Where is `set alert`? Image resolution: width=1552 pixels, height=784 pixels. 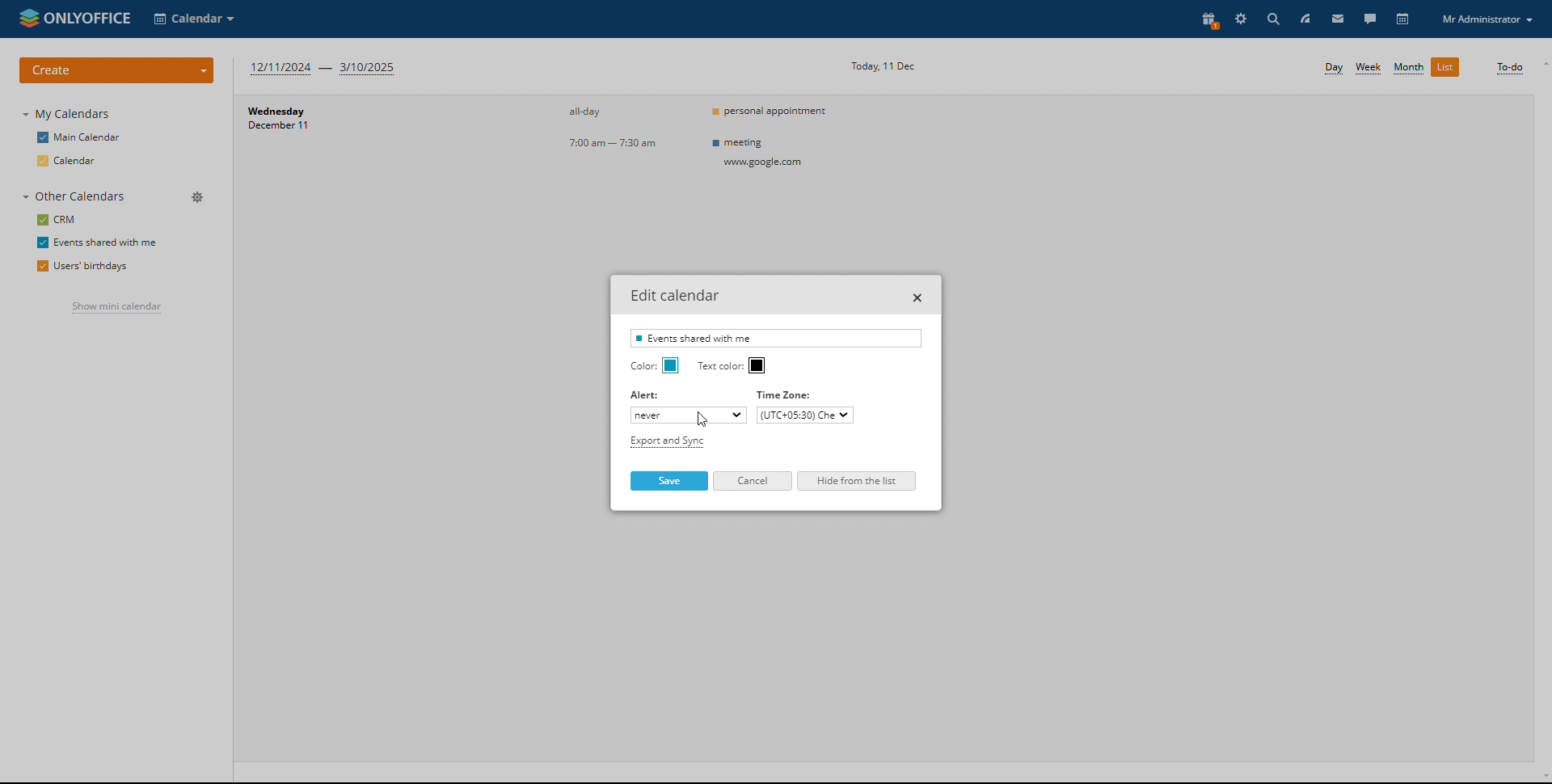 set alert is located at coordinates (689, 415).